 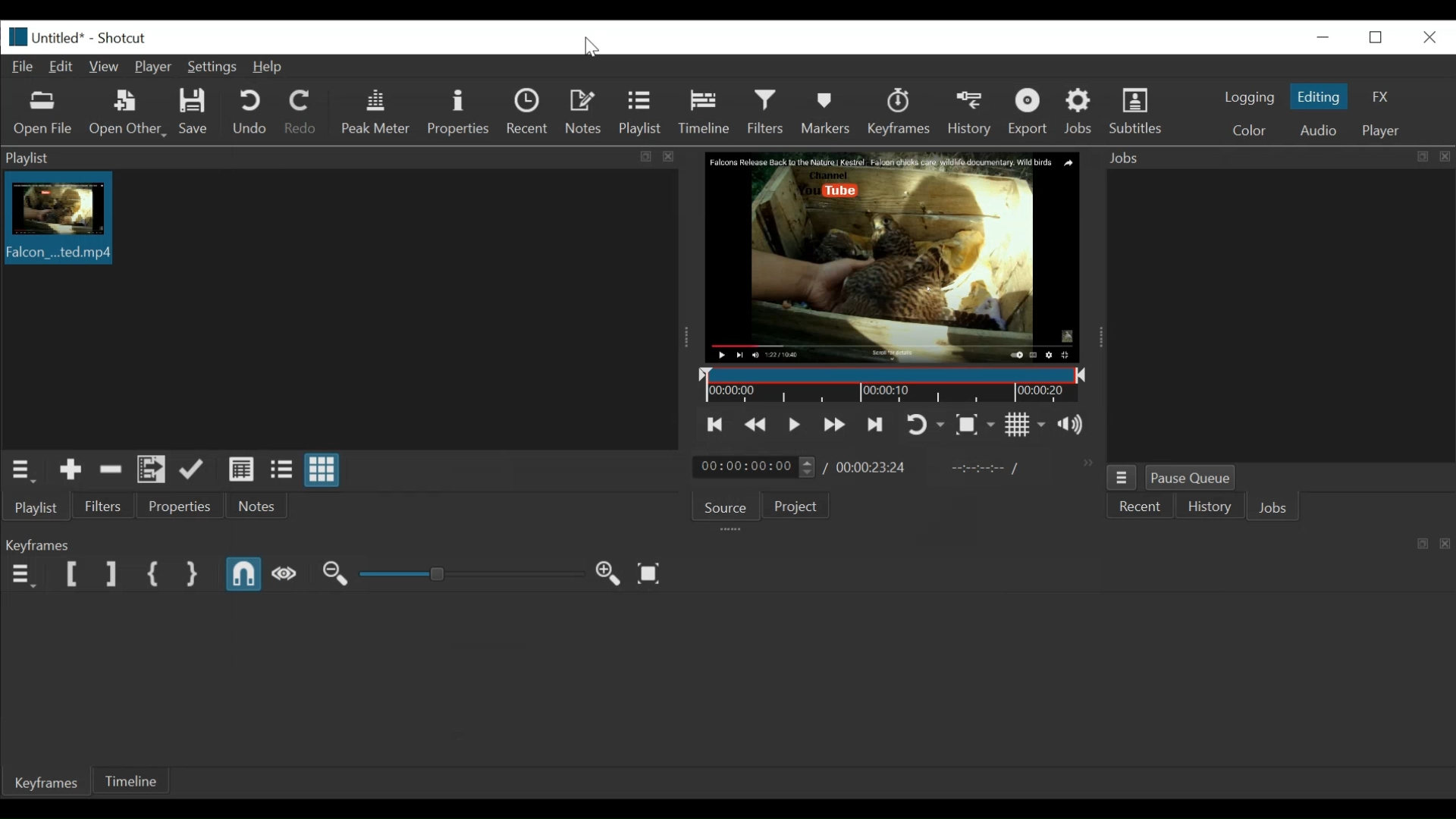 I want to click on Set Filter First, so click(x=72, y=576).